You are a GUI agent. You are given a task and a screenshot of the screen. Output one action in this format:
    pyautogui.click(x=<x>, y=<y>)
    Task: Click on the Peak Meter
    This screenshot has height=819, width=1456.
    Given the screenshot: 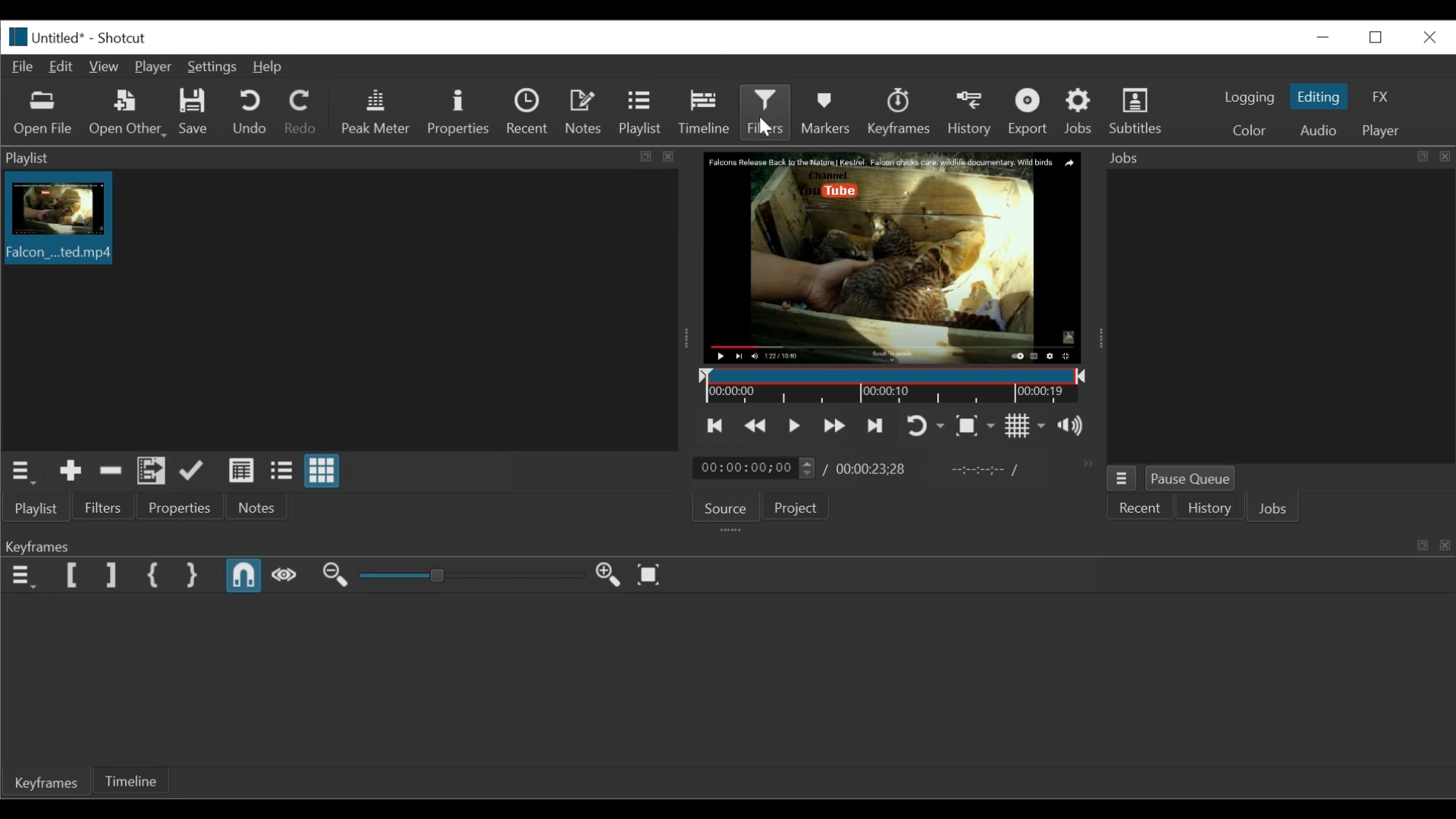 What is the action you would take?
    pyautogui.click(x=376, y=113)
    